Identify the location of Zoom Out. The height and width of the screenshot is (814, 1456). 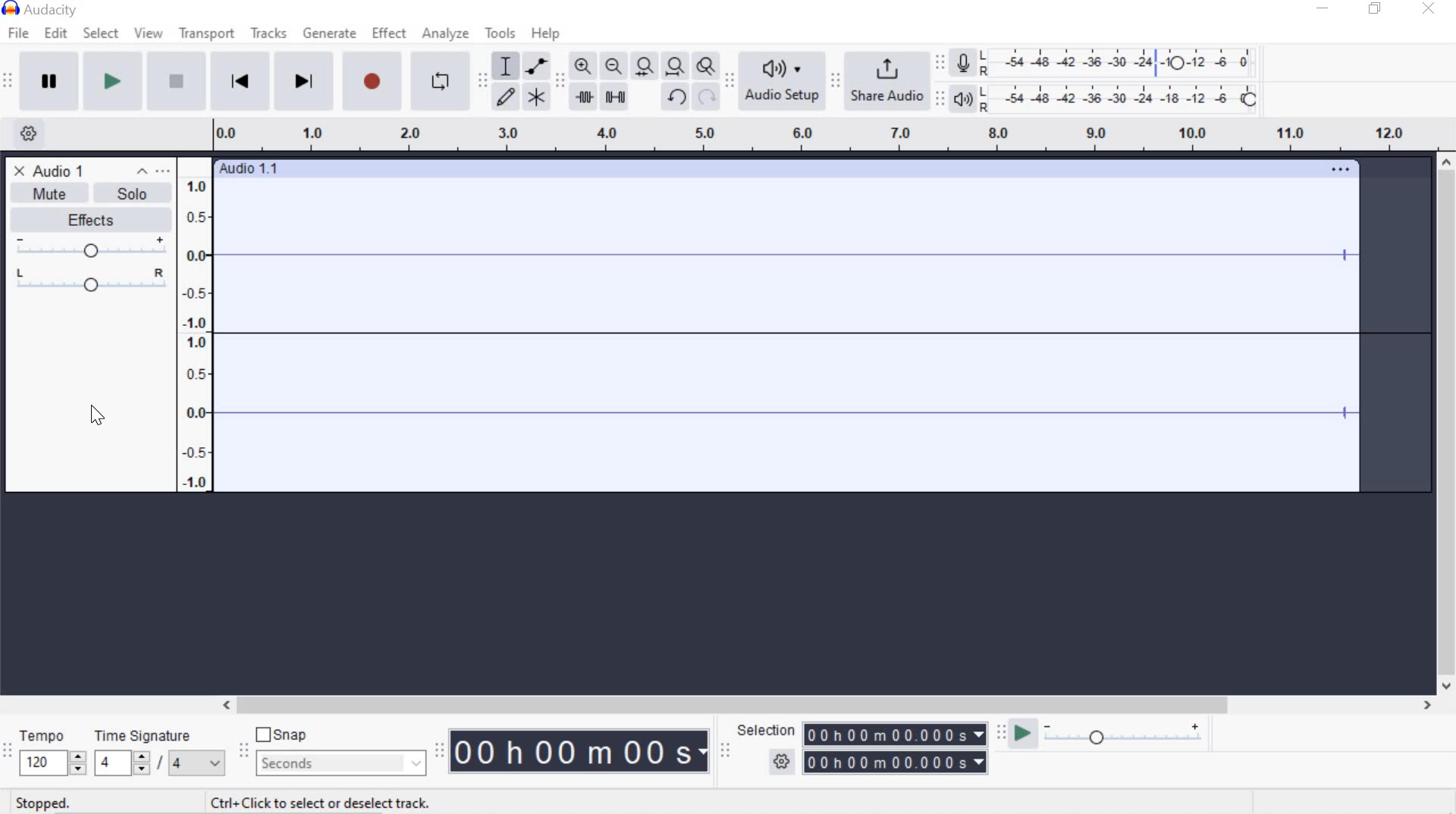
(615, 67).